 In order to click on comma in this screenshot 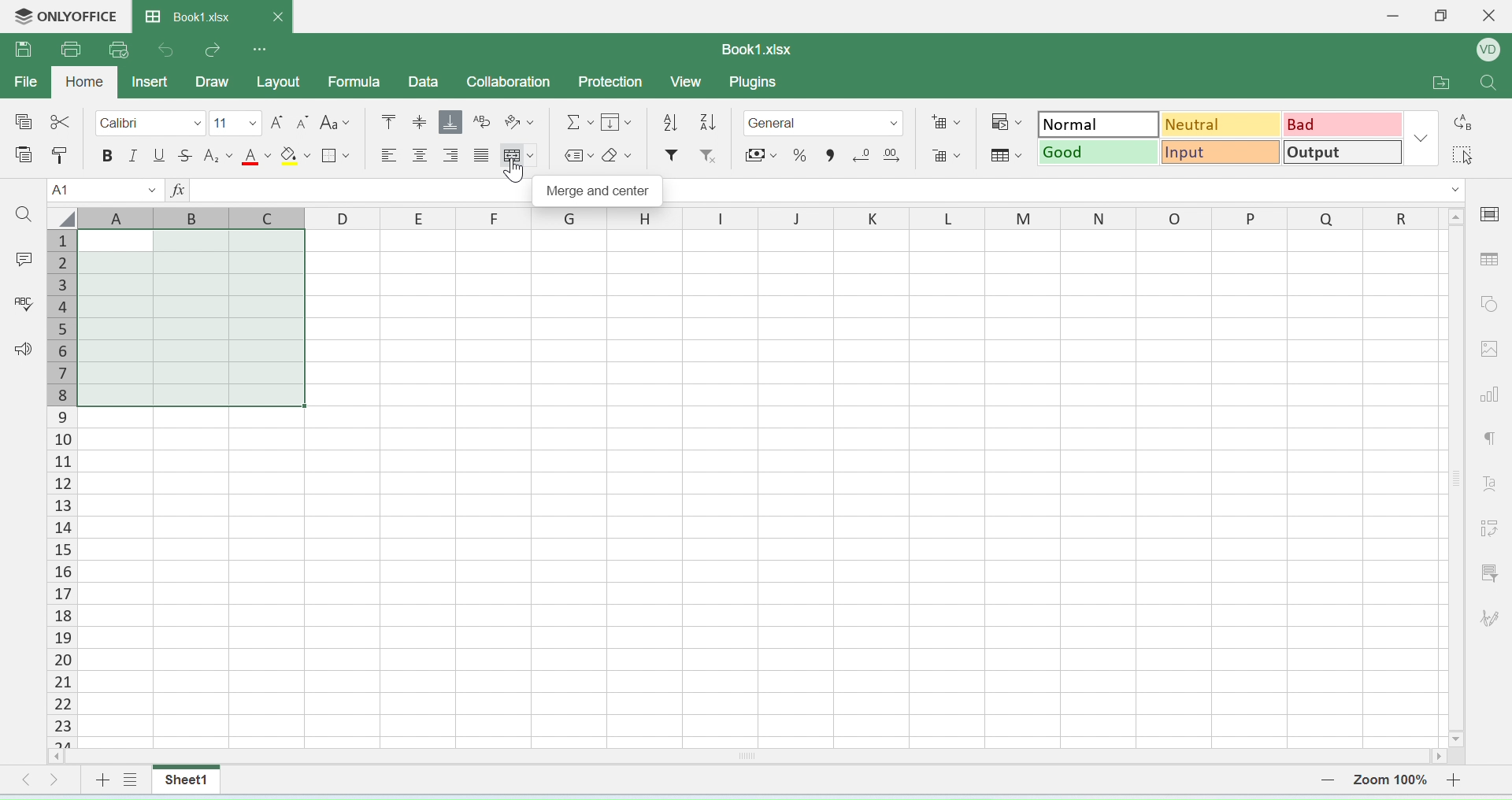, I will do `click(837, 155)`.